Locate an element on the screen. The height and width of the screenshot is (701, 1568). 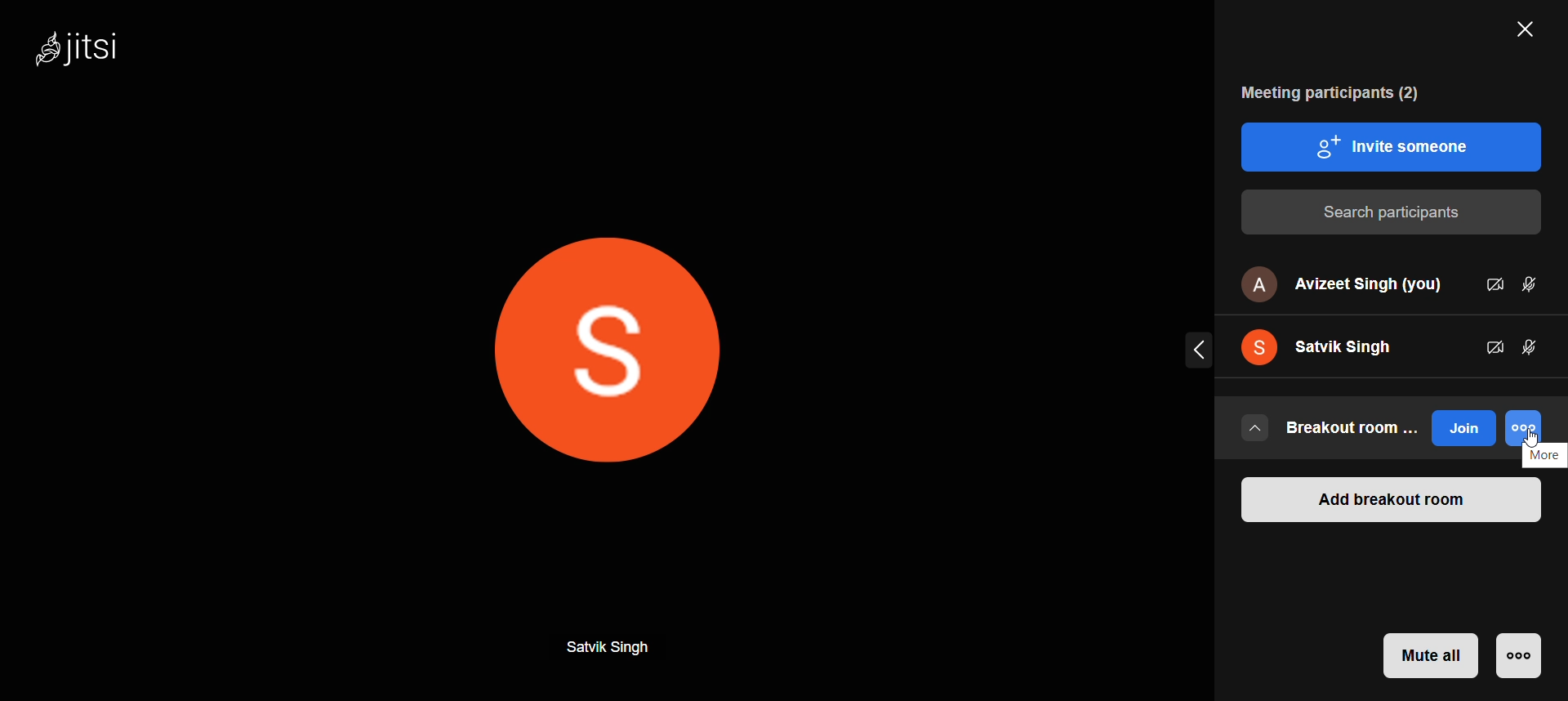
avizeet singh (you) is located at coordinates (1340, 284).